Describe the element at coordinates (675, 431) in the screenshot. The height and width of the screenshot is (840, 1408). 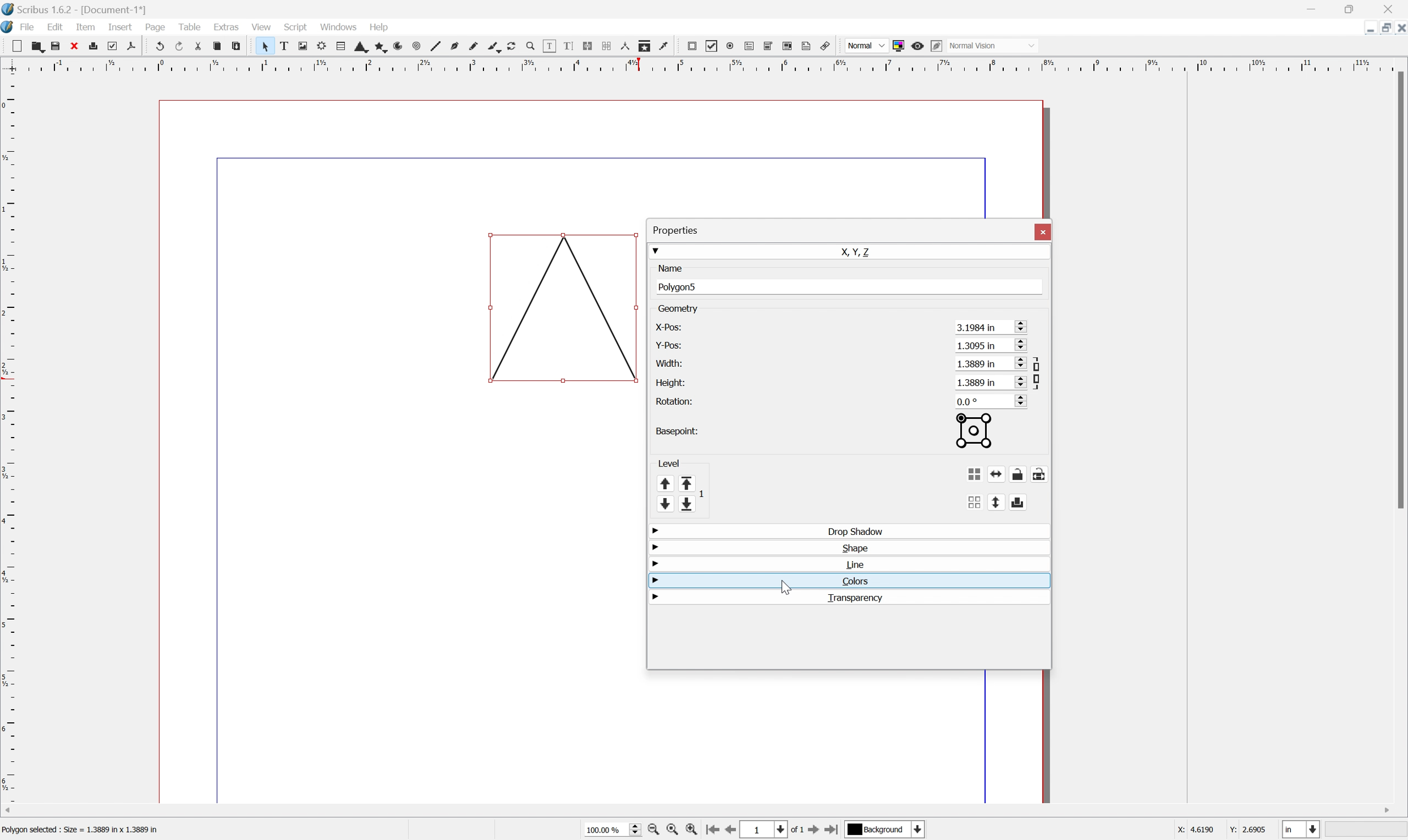
I see `Basepoint:` at that location.